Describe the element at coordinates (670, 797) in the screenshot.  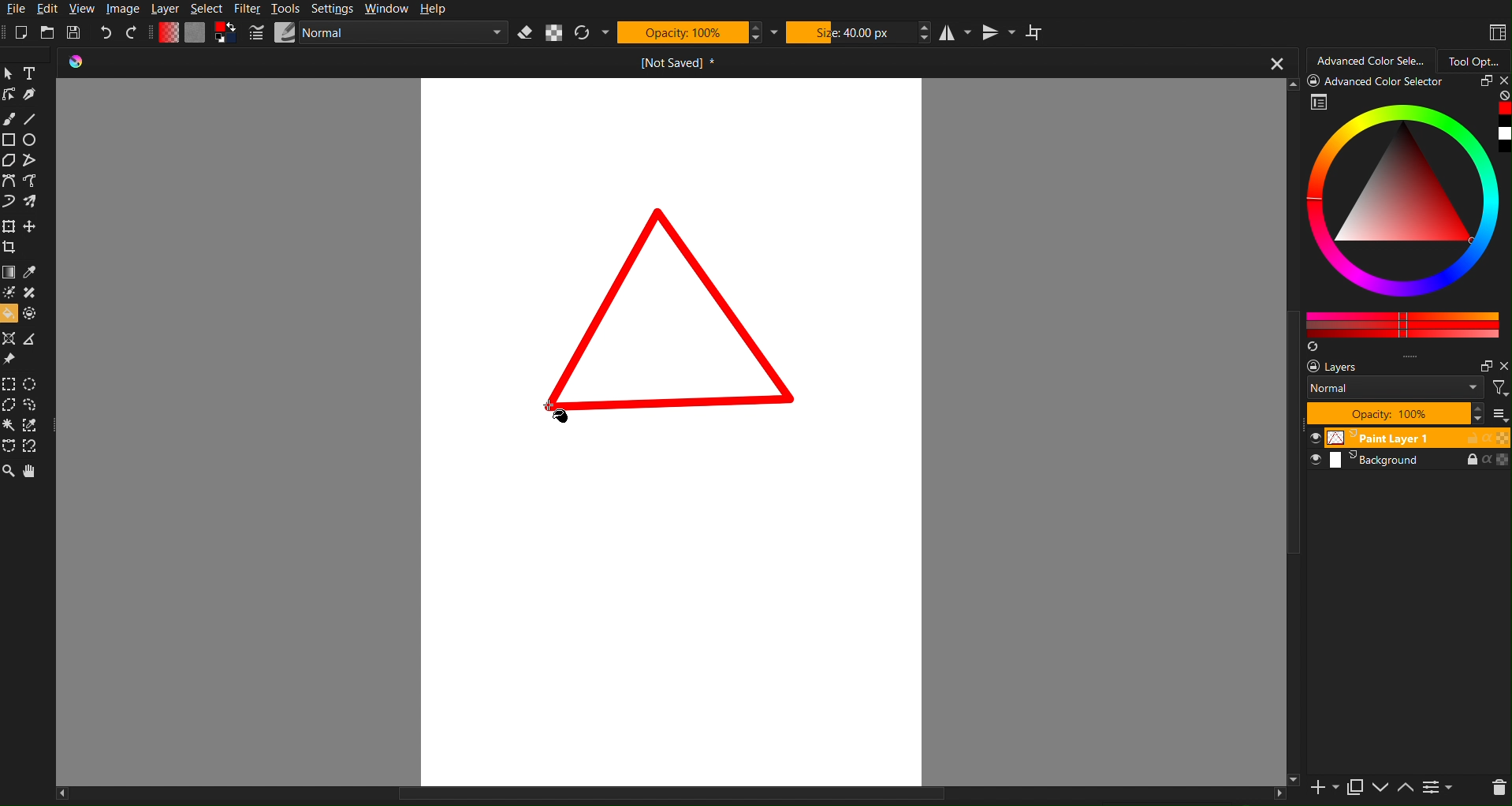
I see `scroll bar` at that location.